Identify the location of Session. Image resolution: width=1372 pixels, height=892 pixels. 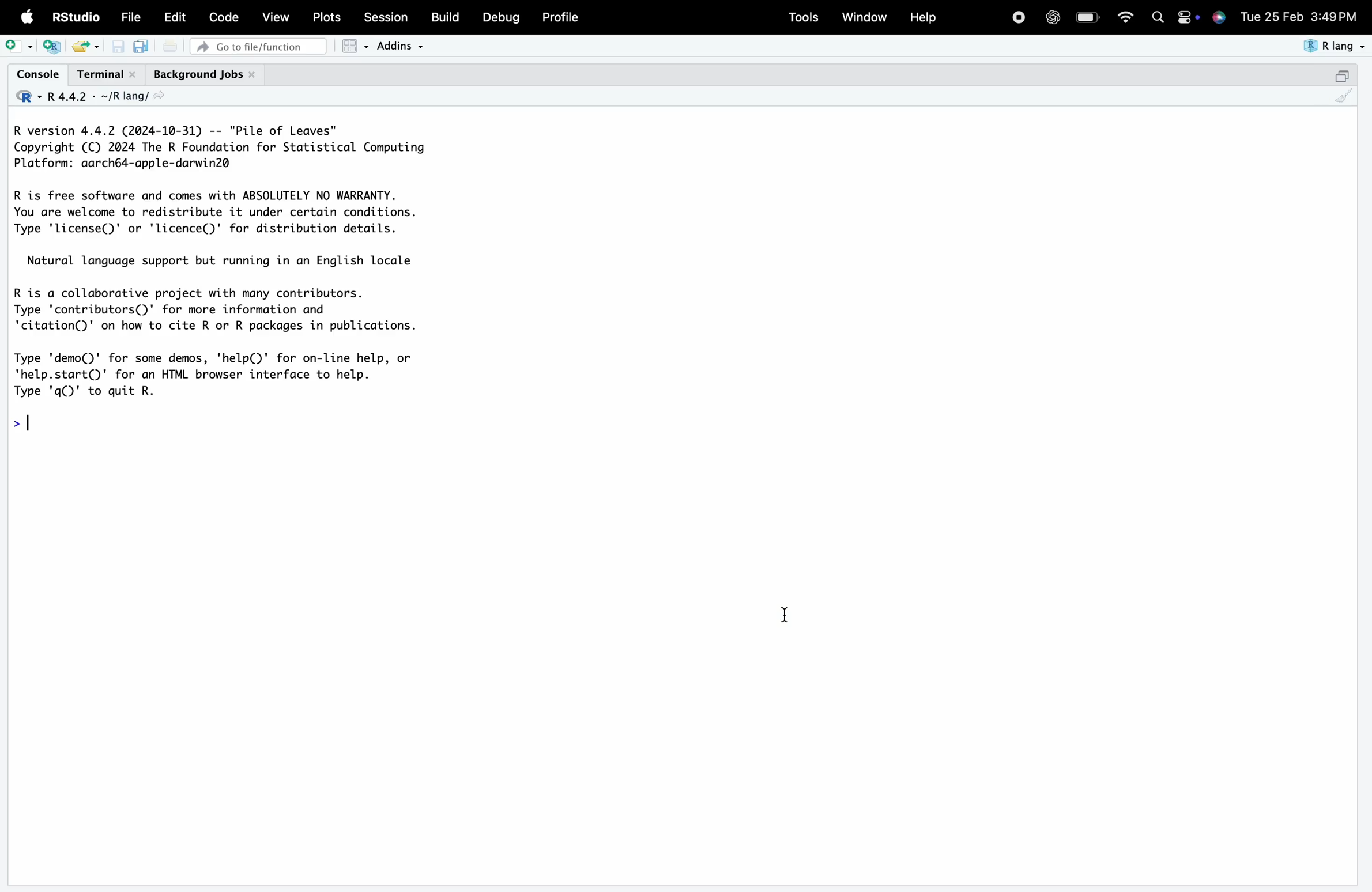
(386, 16).